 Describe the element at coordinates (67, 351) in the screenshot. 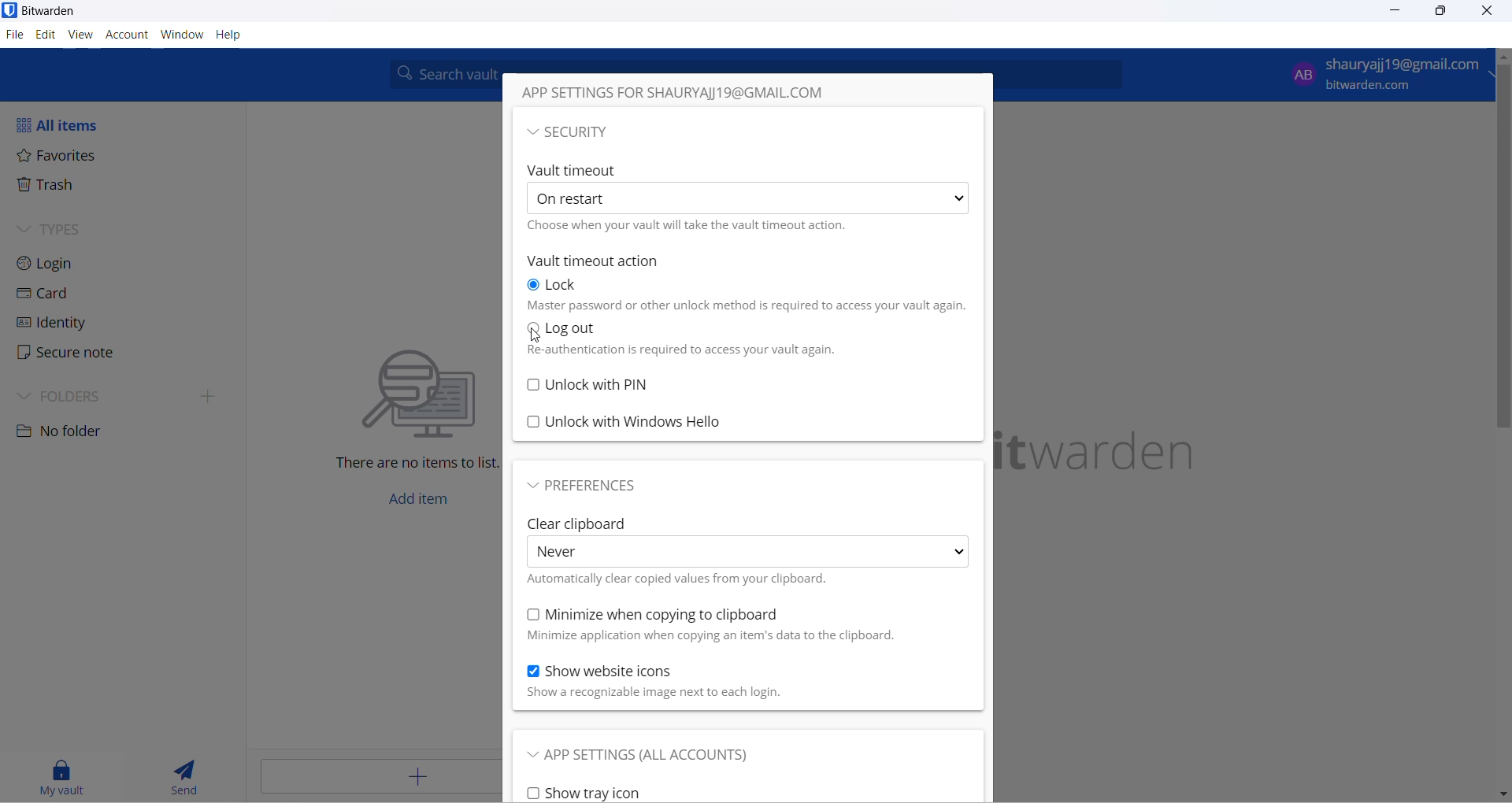

I see `Secure note` at that location.